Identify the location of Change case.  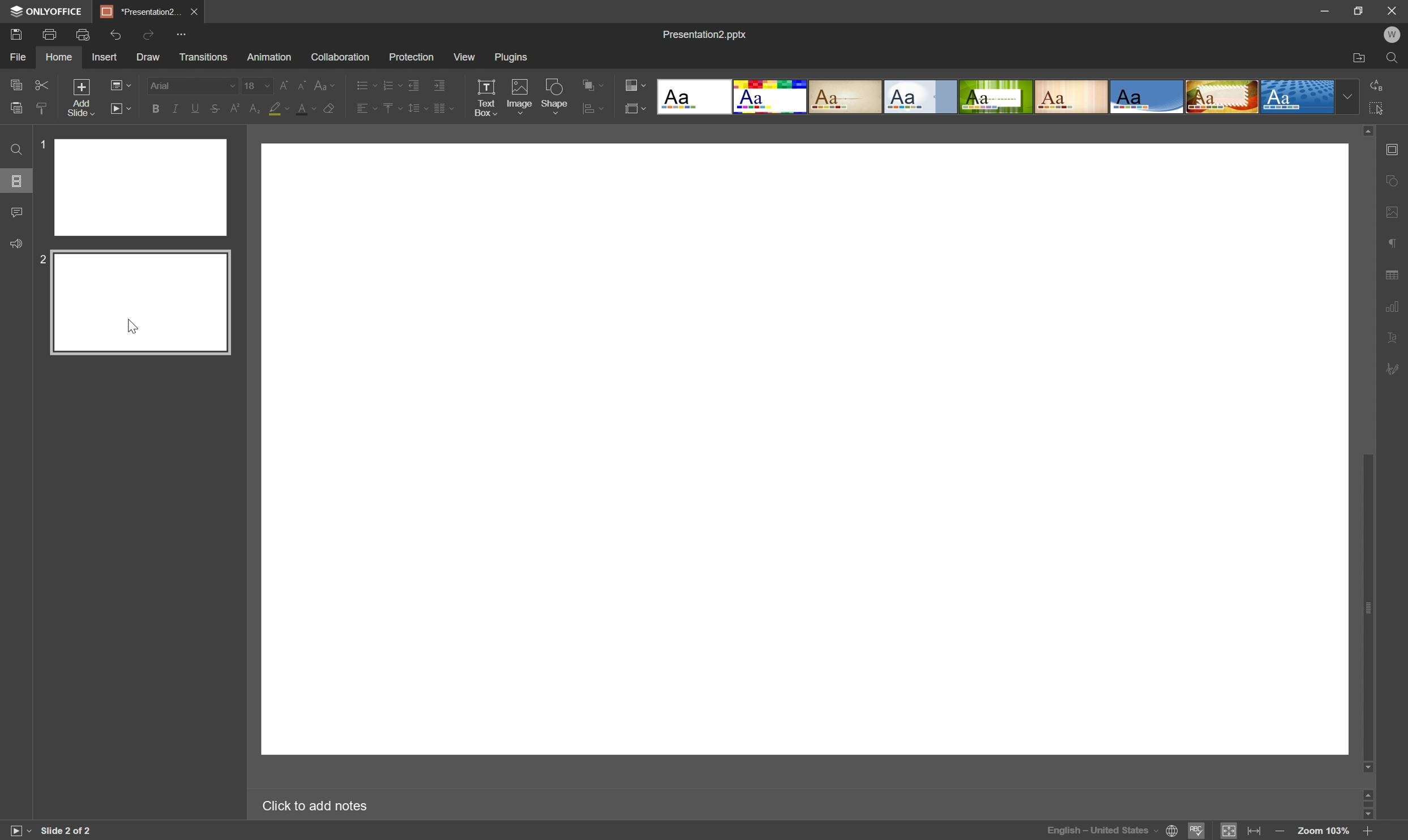
(327, 83).